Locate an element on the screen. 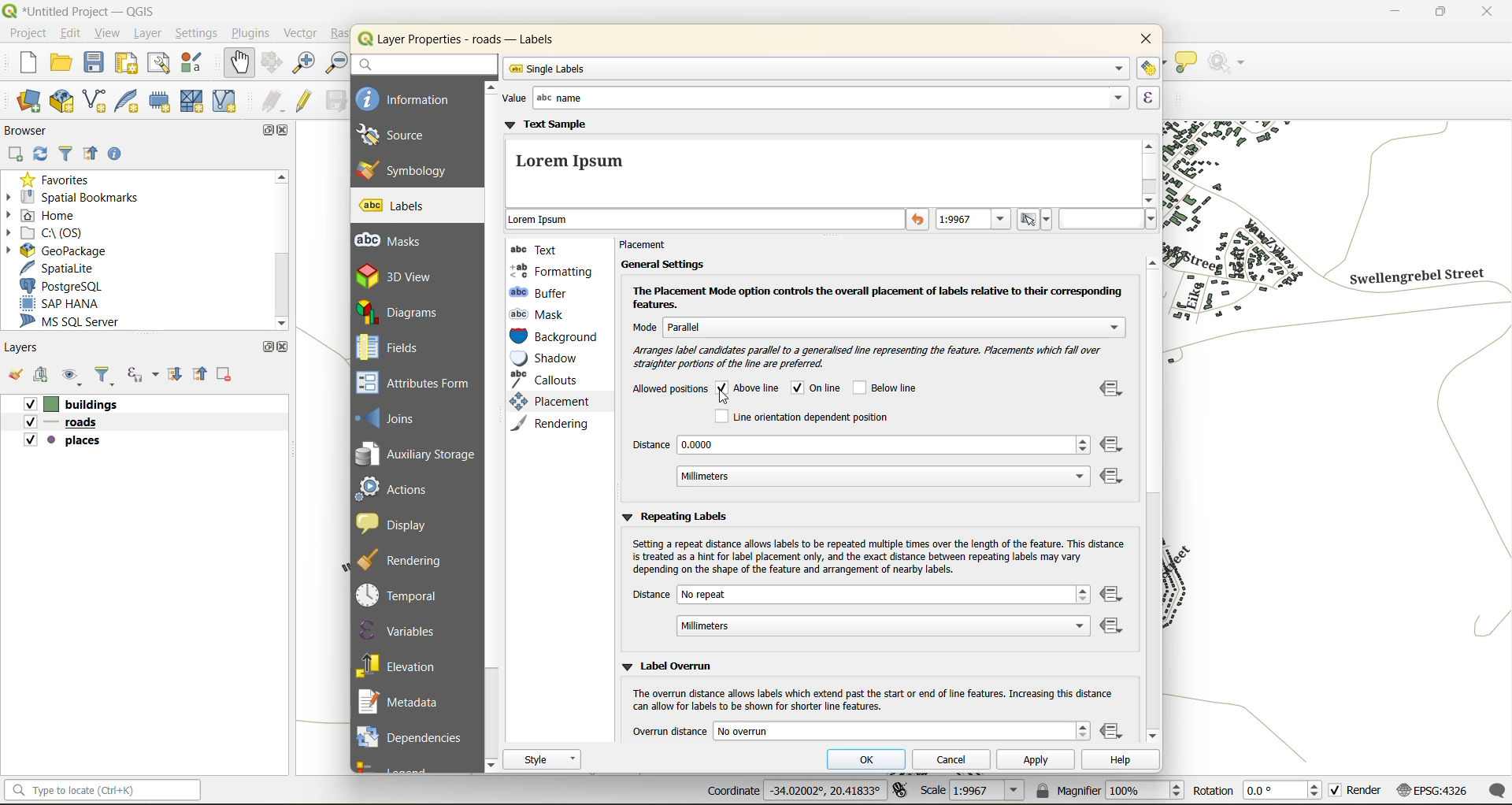  fields is located at coordinates (389, 347).